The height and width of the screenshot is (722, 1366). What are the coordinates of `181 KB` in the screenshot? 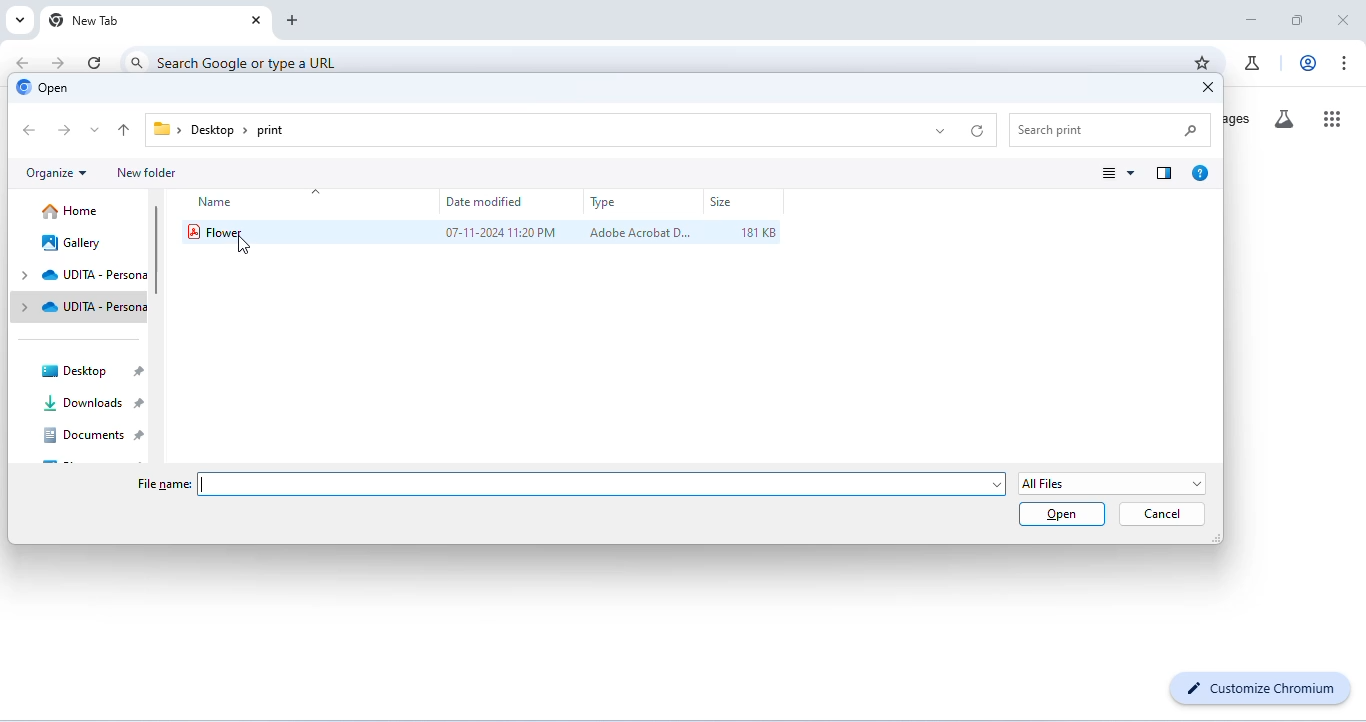 It's located at (759, 232).